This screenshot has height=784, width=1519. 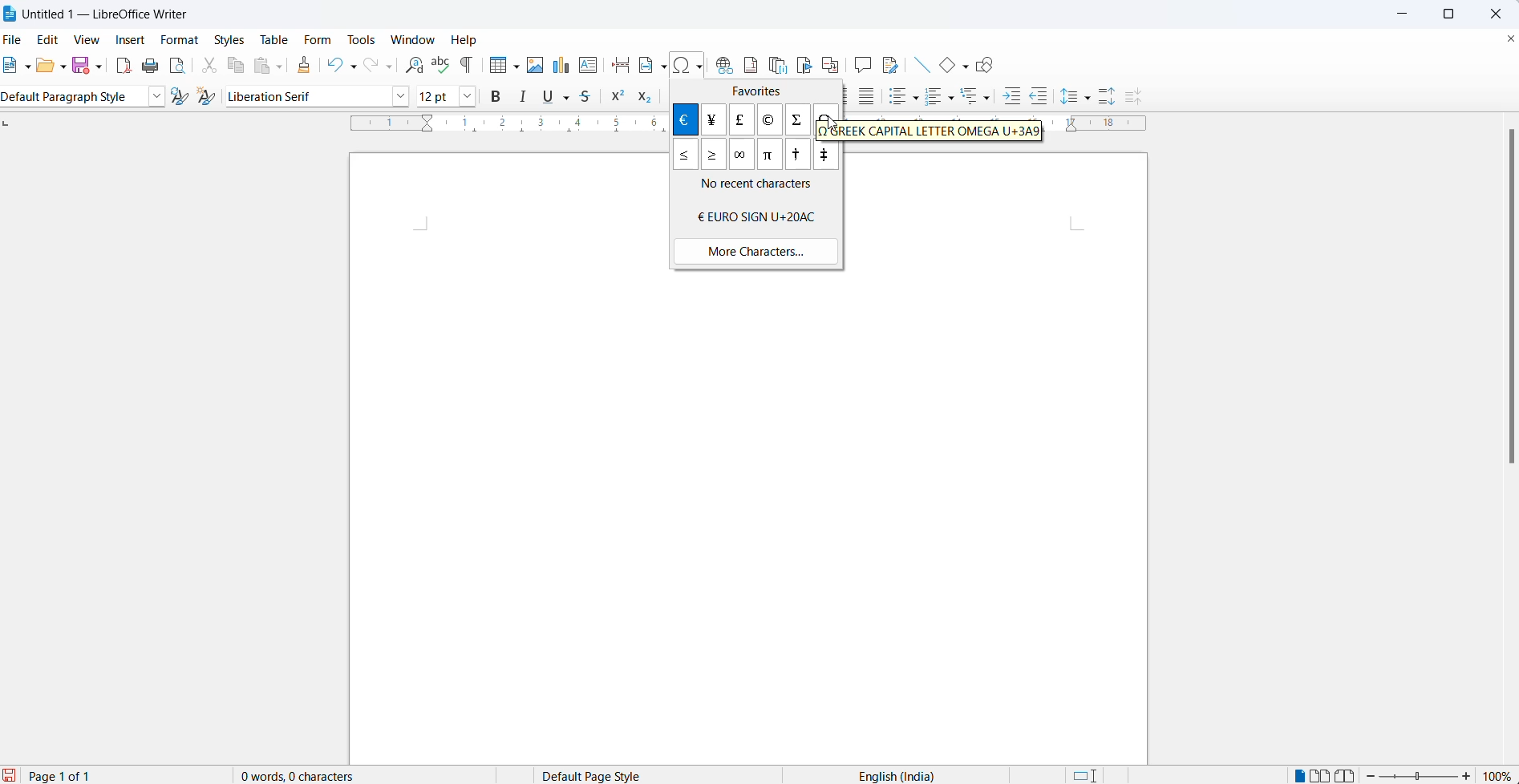 I want to click on favorites heading, so click(x=753, y=91).